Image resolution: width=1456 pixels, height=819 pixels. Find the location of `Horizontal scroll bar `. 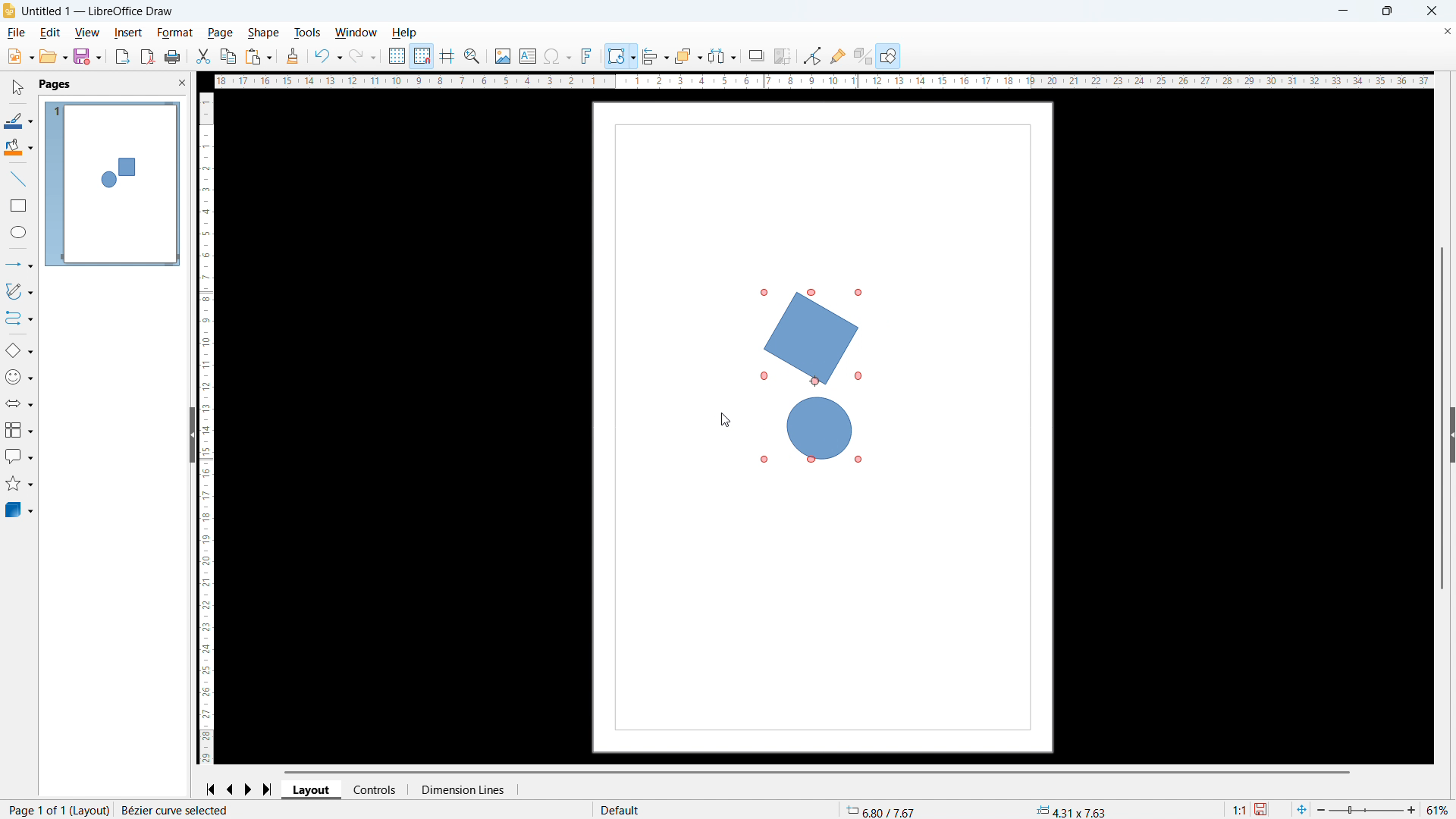

Horizontal scroll bar  is located at coordinates (818, 772).